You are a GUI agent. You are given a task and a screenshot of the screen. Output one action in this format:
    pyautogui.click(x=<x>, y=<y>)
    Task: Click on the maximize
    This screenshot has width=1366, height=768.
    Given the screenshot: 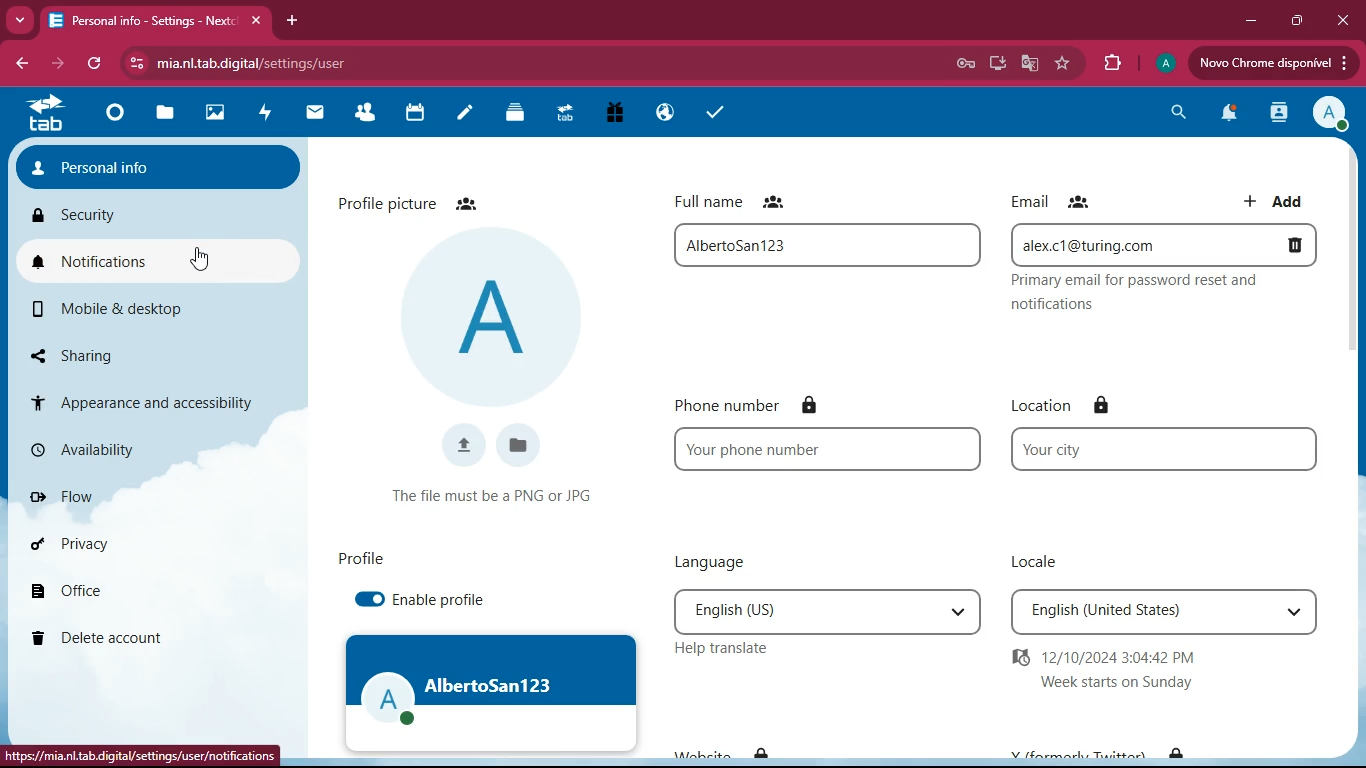 What is the action you would take?
    pyautogui.click(x=1299, y=21)
    